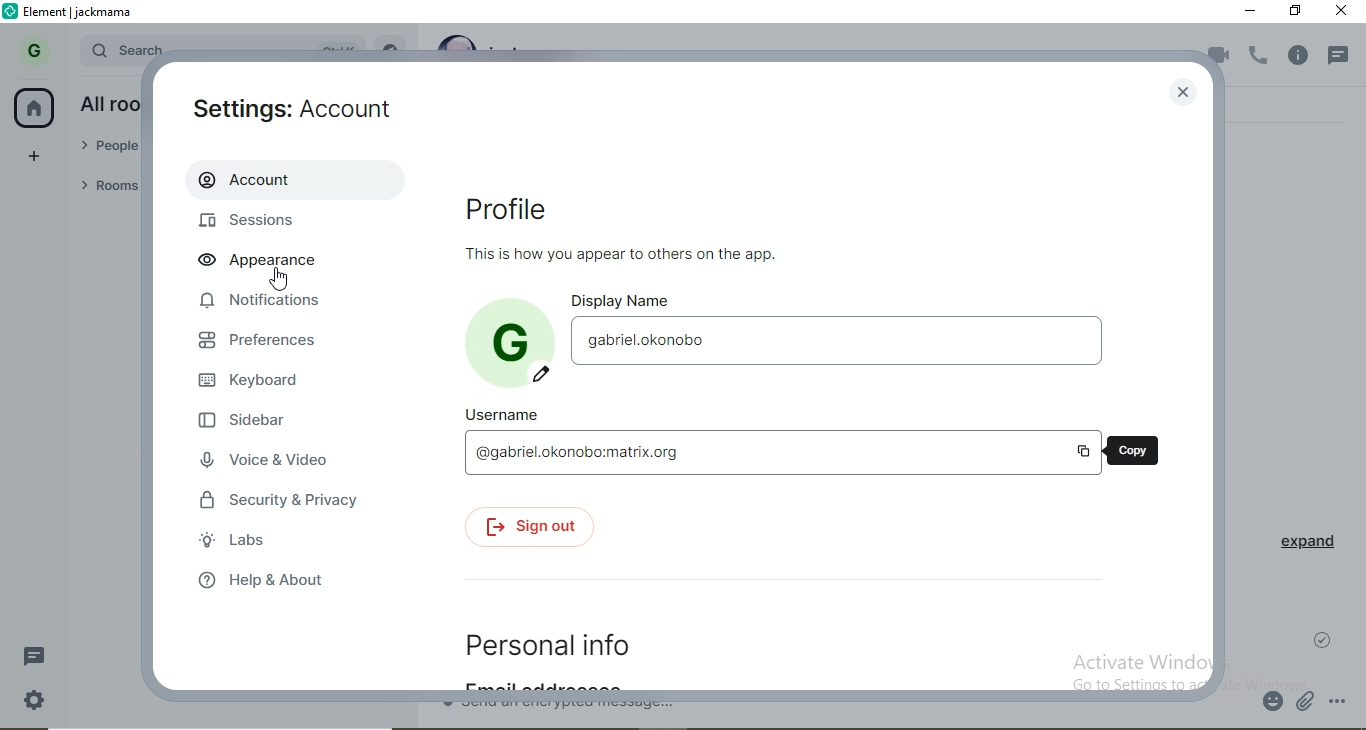 The height and width of the screenshot is (730, 1366). Describe the element at coordinates (1179, 94) in the screenshot. I see `close` at that location.